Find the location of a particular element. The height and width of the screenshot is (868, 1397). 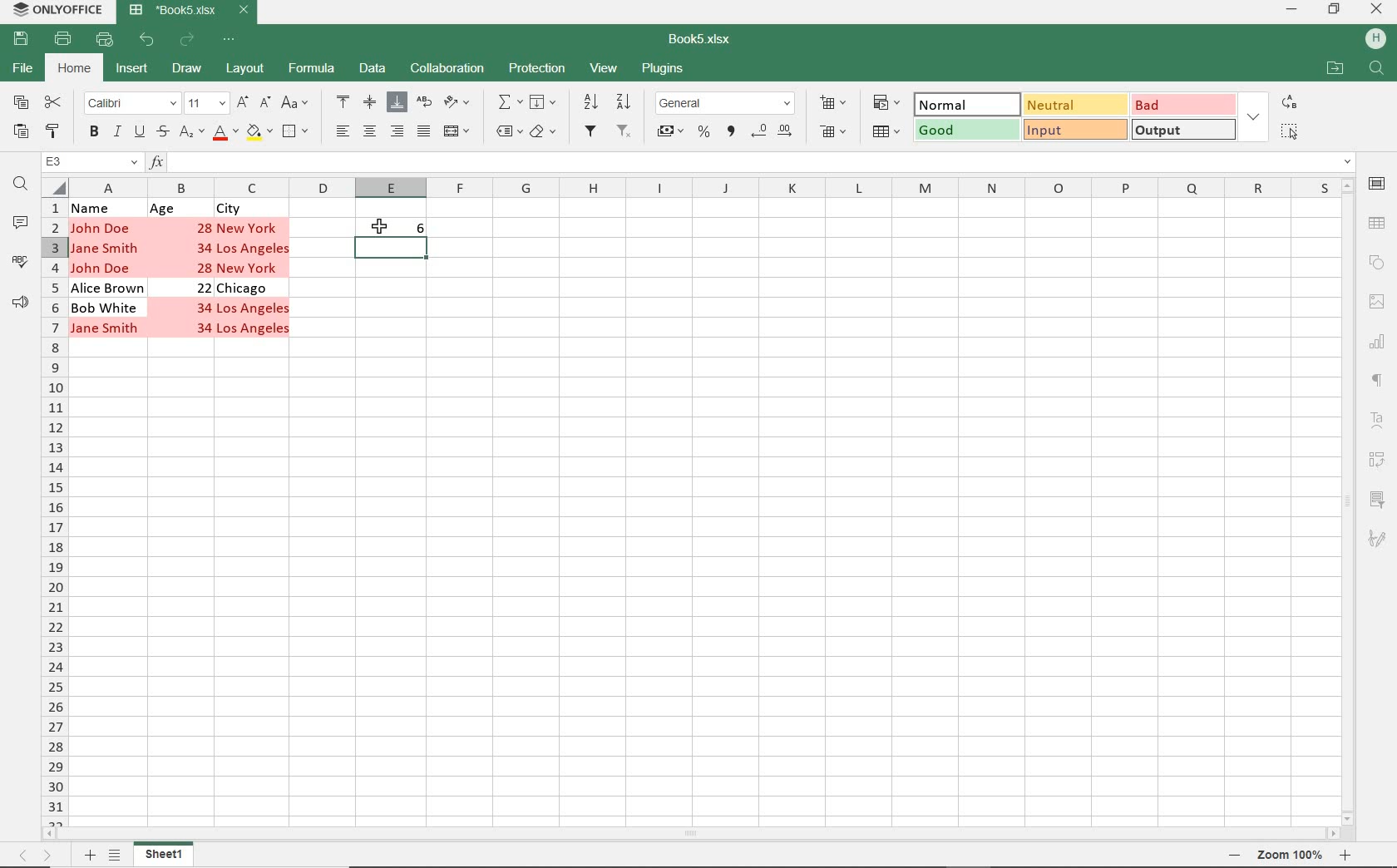

REPLACE is located at coordinates (1290, 102).